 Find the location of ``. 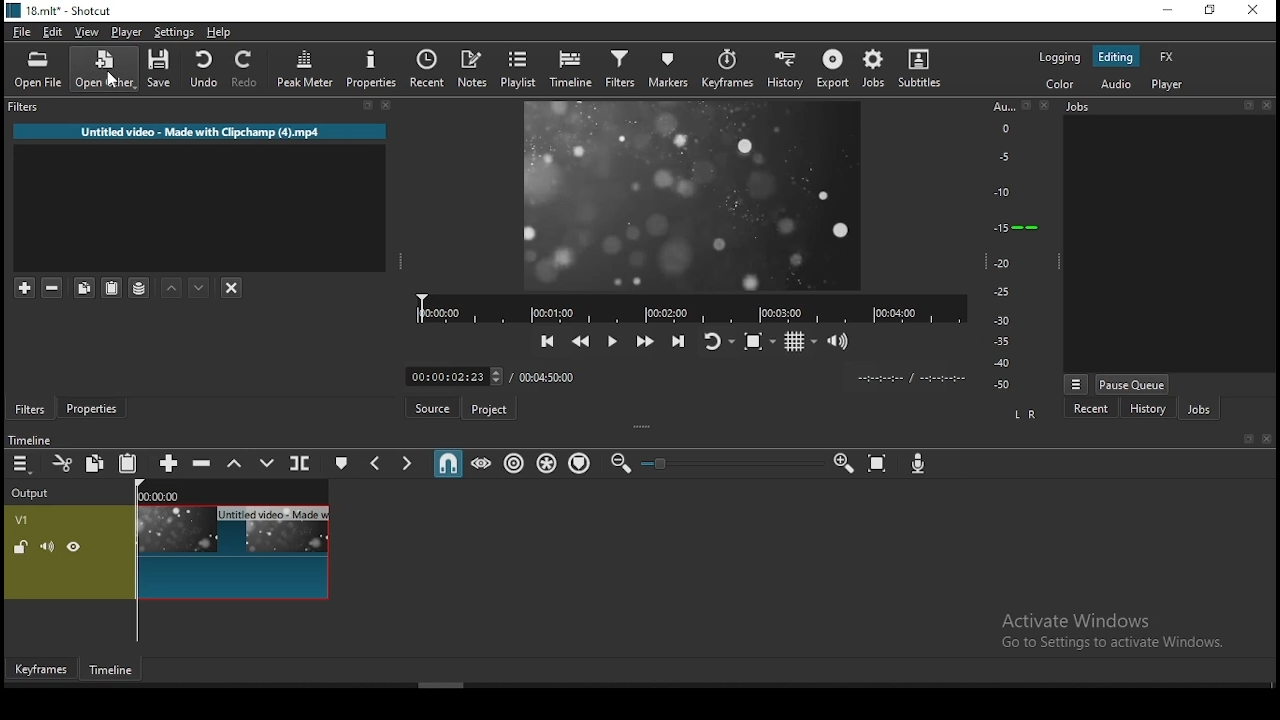

 is located at coordinates (643, 342).